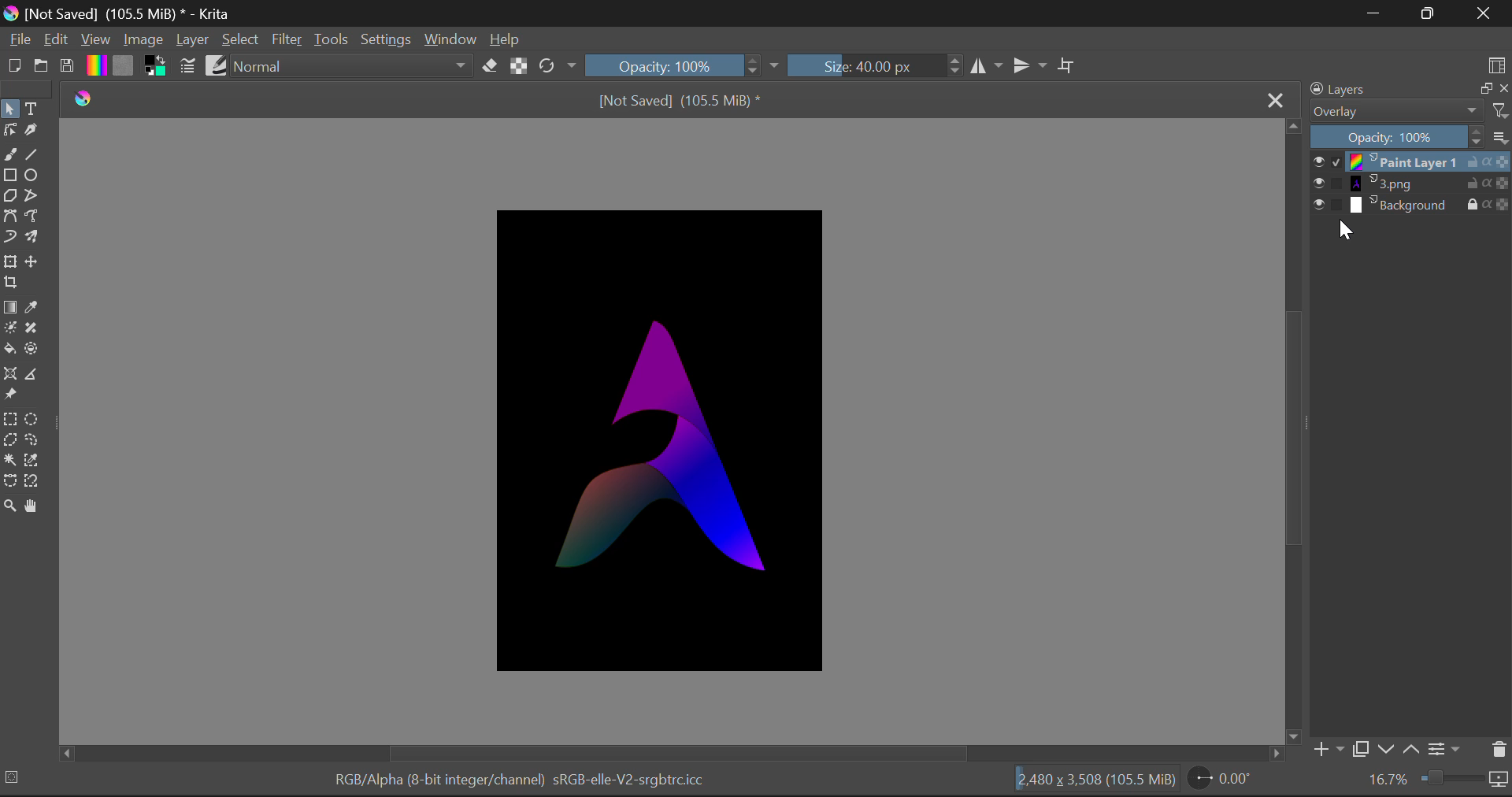 Image resolution: width=1512 pixels, height=797 pixels. I want to click on Elipses, so click(35, 177).